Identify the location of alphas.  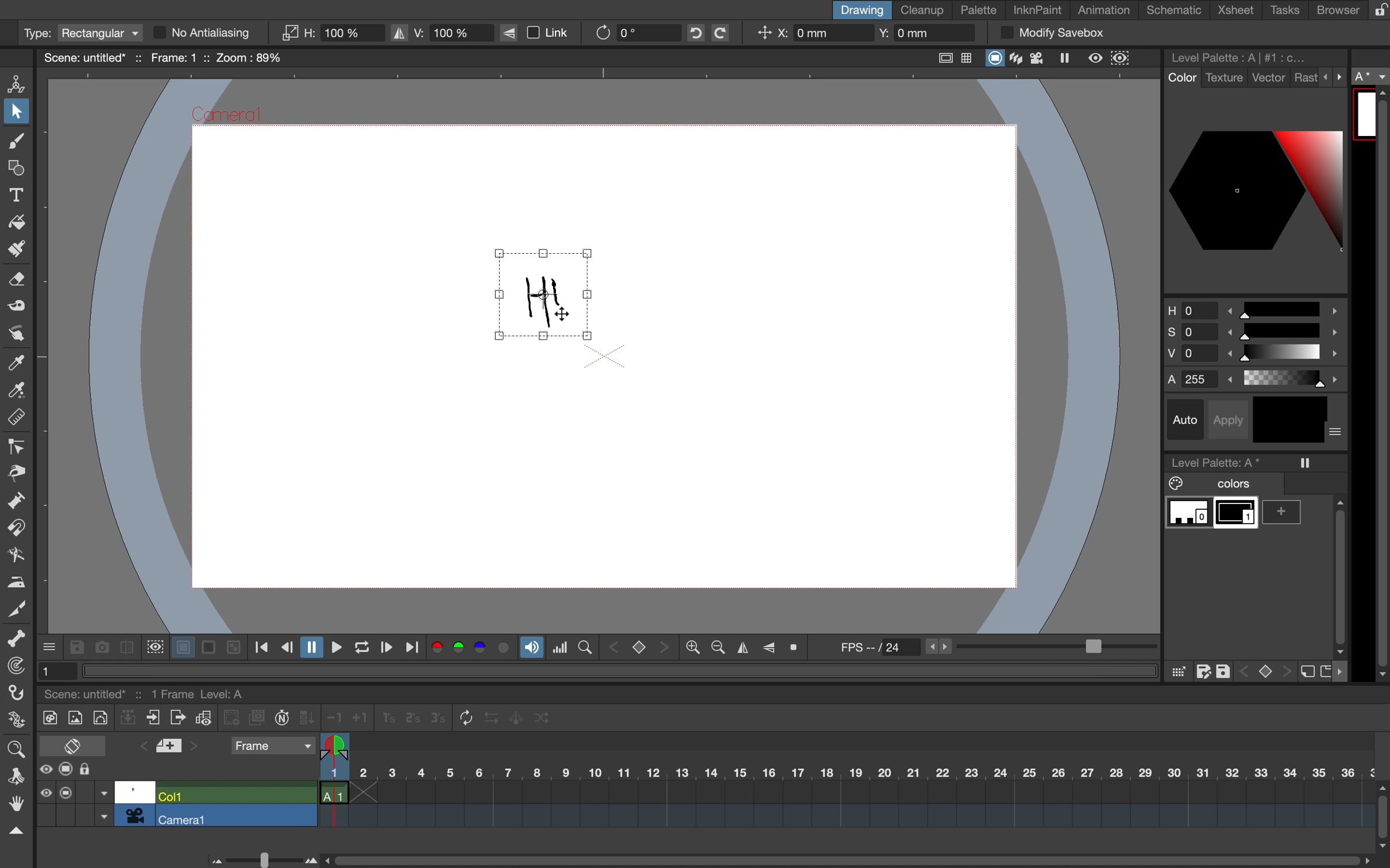
(1257, 379).